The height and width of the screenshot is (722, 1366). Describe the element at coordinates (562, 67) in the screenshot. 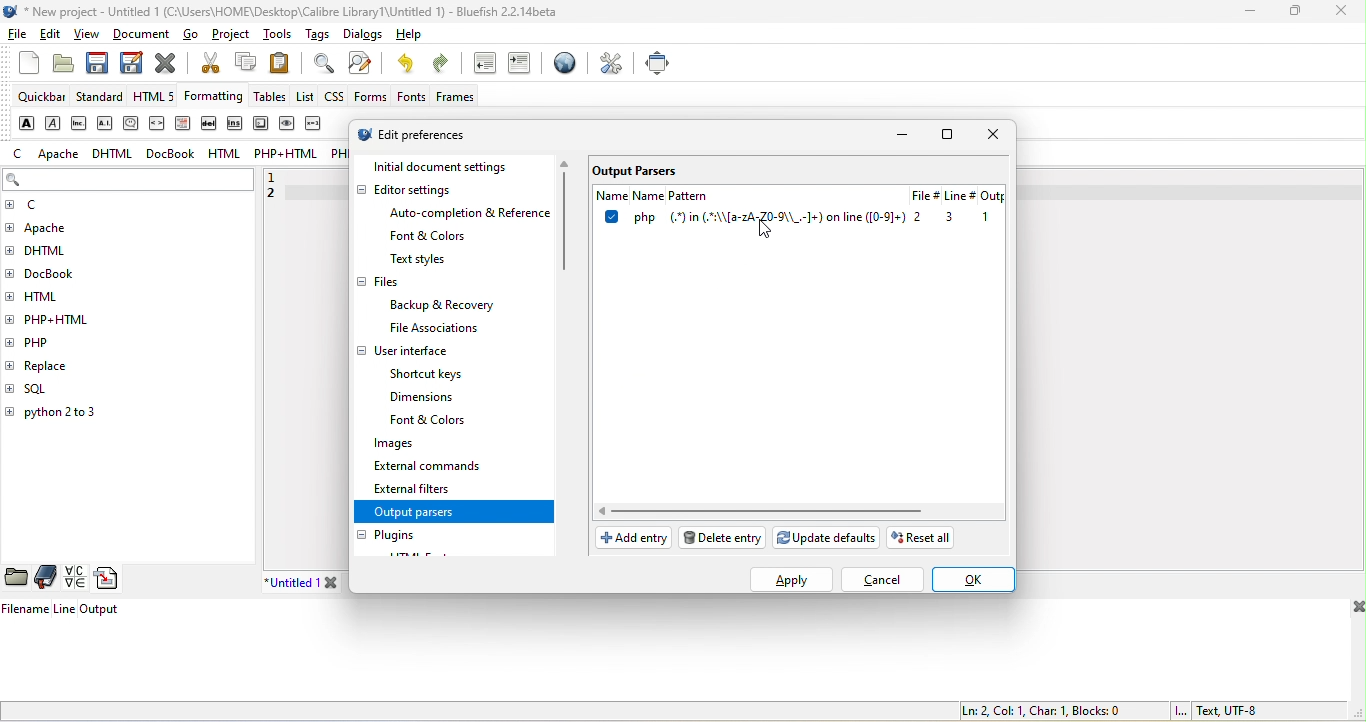

I see `browser` at that location.